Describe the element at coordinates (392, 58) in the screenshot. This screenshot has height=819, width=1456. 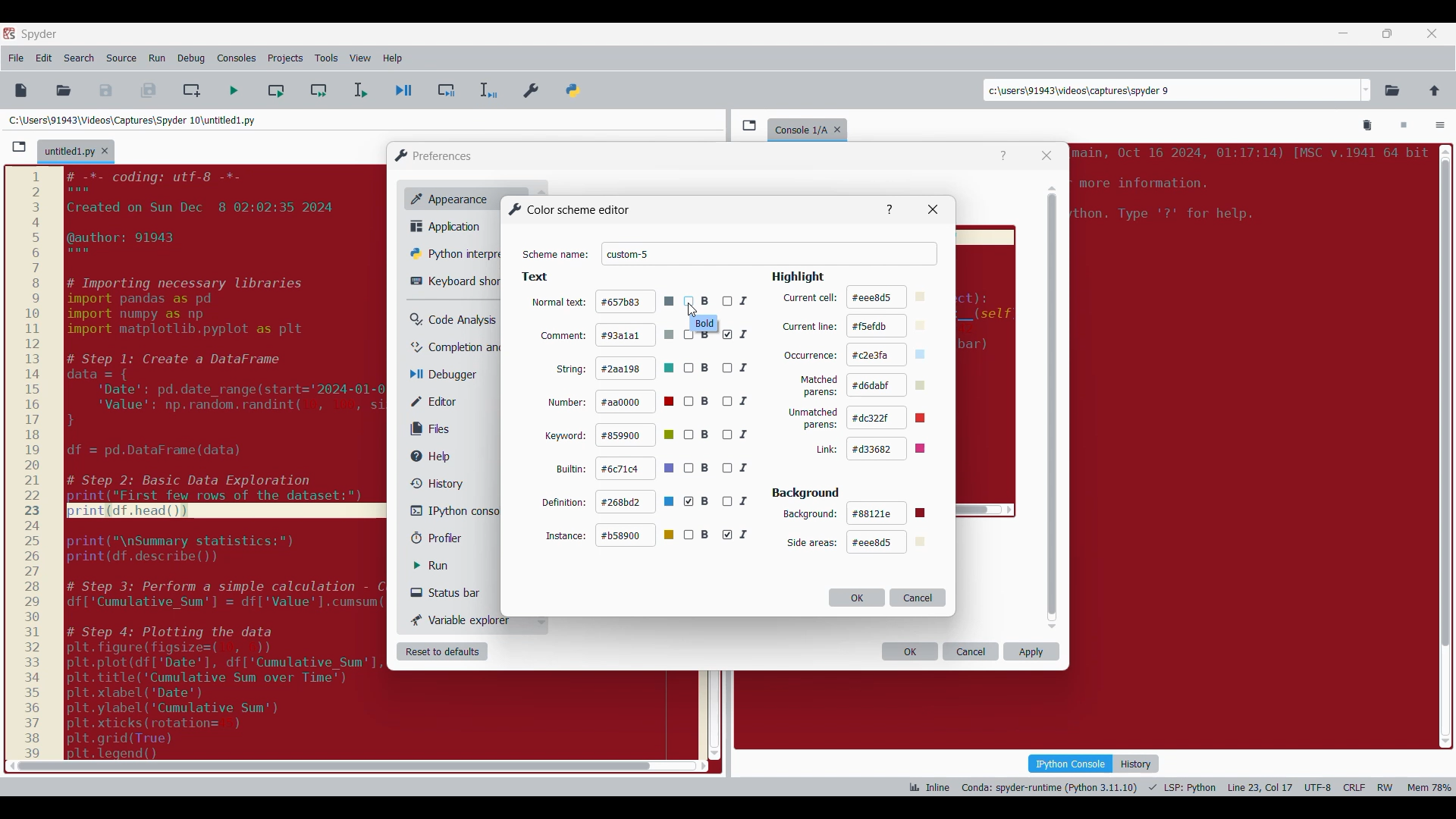
I see `Help menu` at that location.